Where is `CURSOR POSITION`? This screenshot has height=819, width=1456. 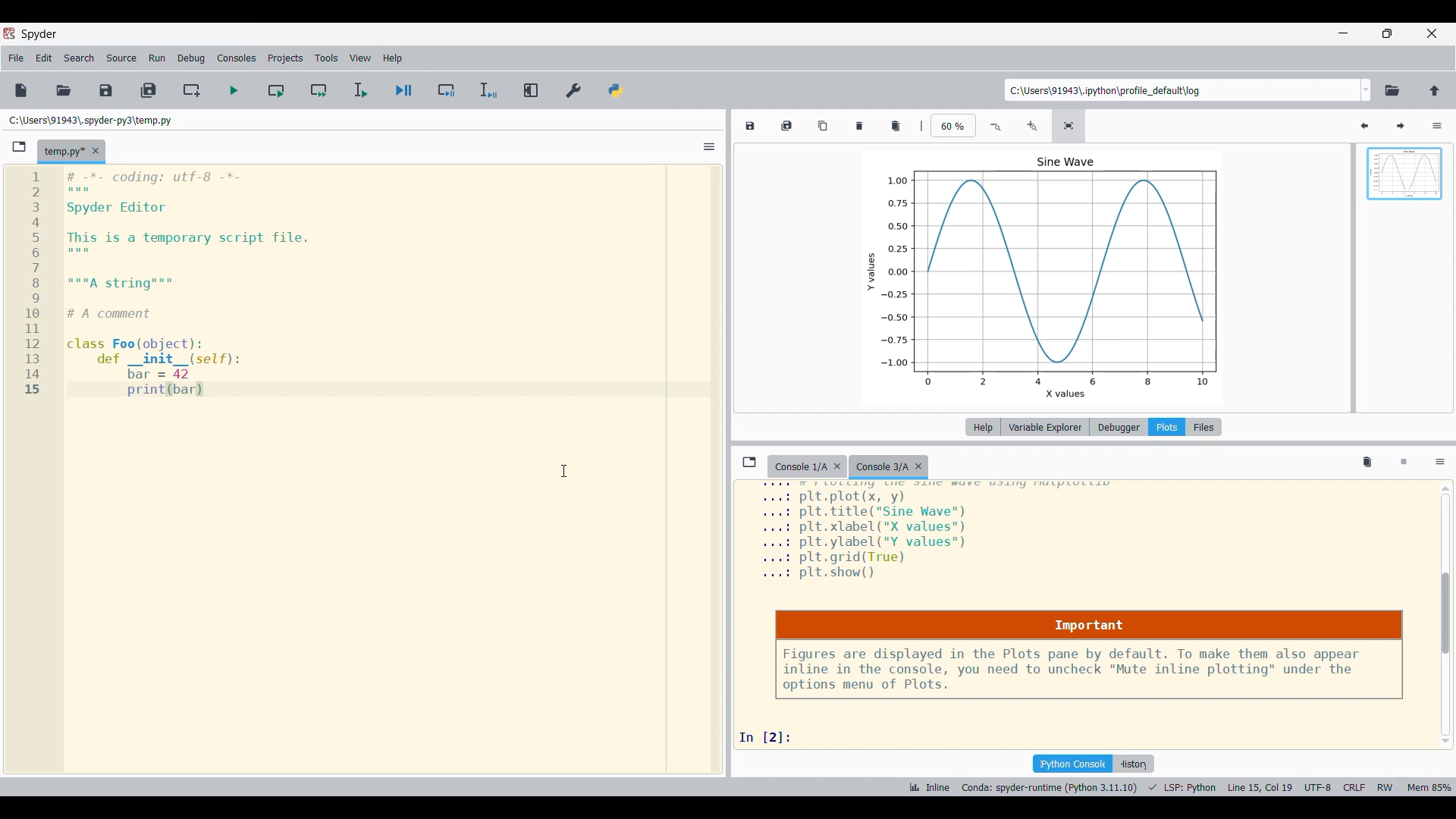
CURSOR POSITION is located at coordinates (1260, 788).